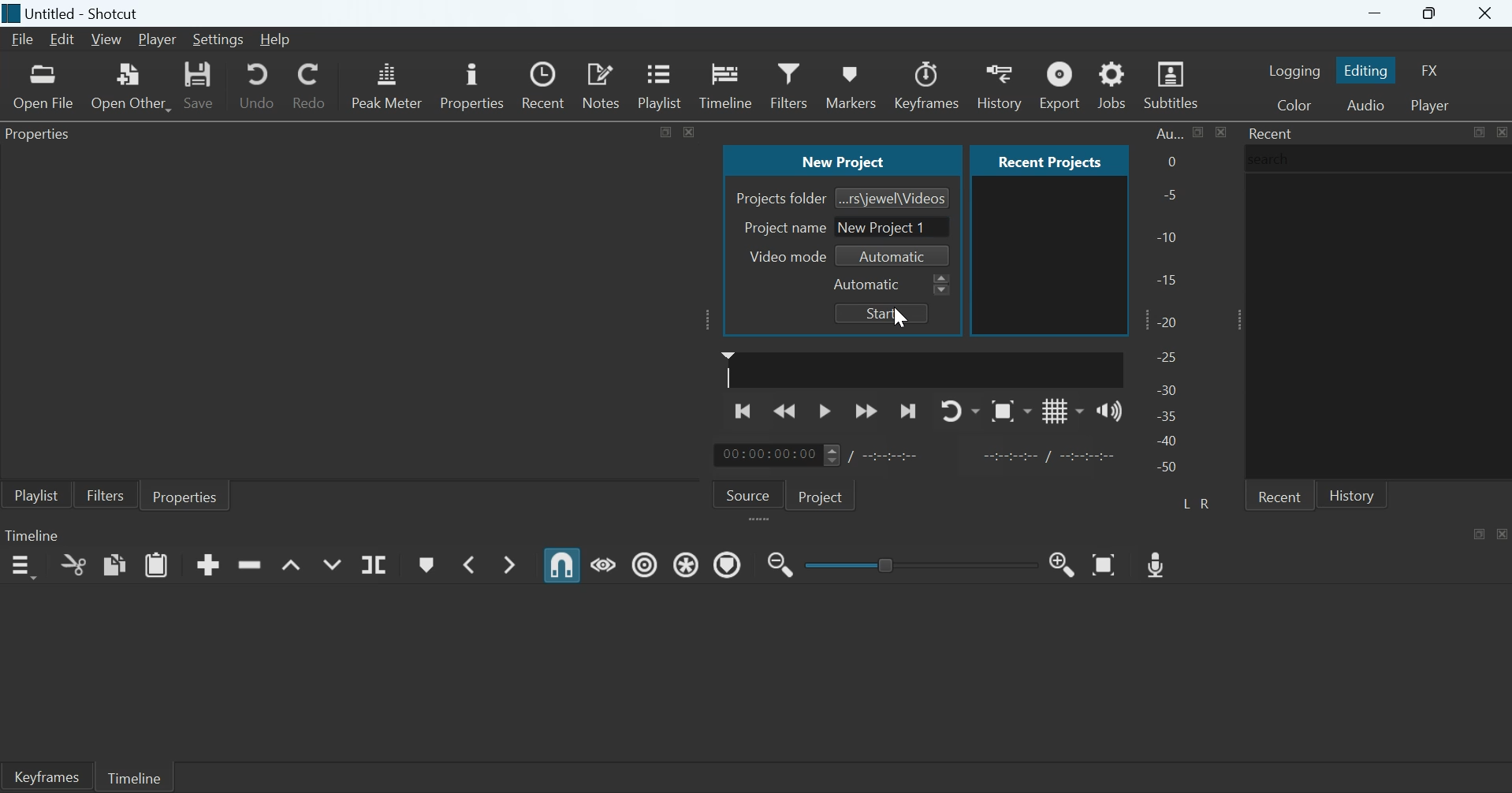  I want to click on Expand, so click(709, 319).